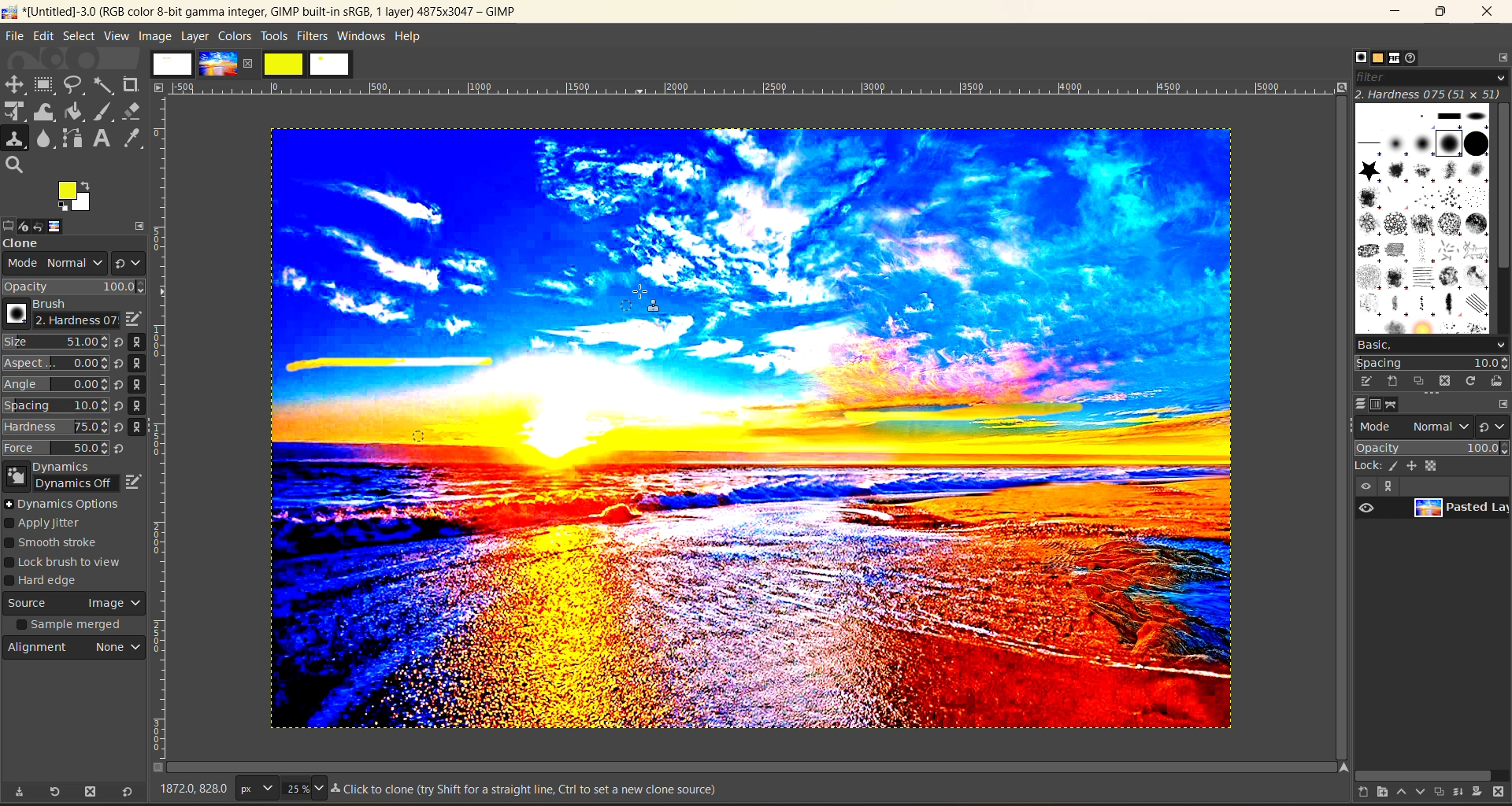 Image resolution: width=1512 pixels, height=806 pixels. Describe the element at coordinates (1340, 767) in the screenshot. I see `` at that location.